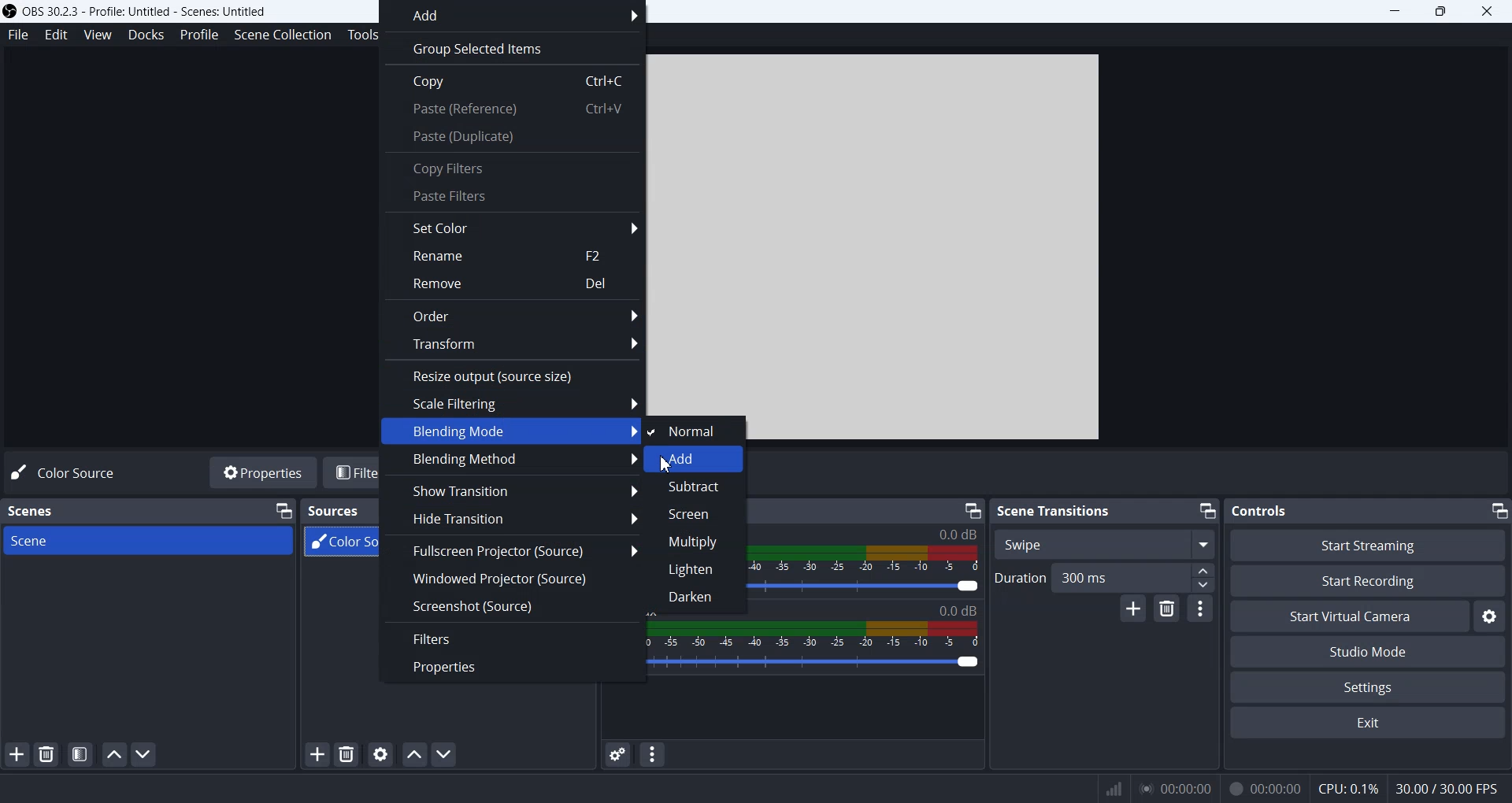 Image resolution: width=1512 pixels, height=803 pixels. Describe the element at coordinates (1017, 578) in the screenshot. I see `Duration` at that location.